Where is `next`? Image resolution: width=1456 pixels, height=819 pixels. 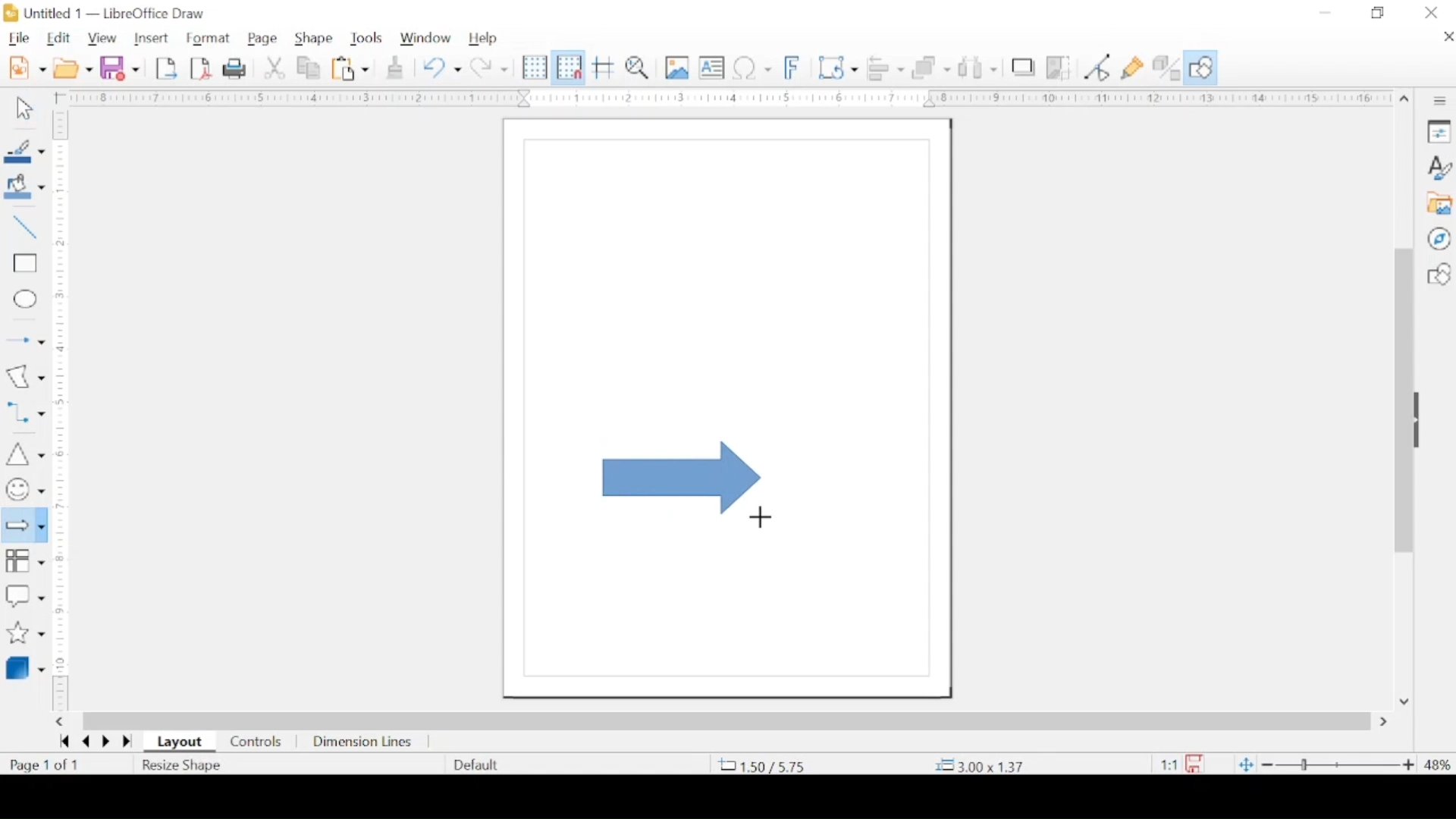 next is located at coordinates (105, 742).